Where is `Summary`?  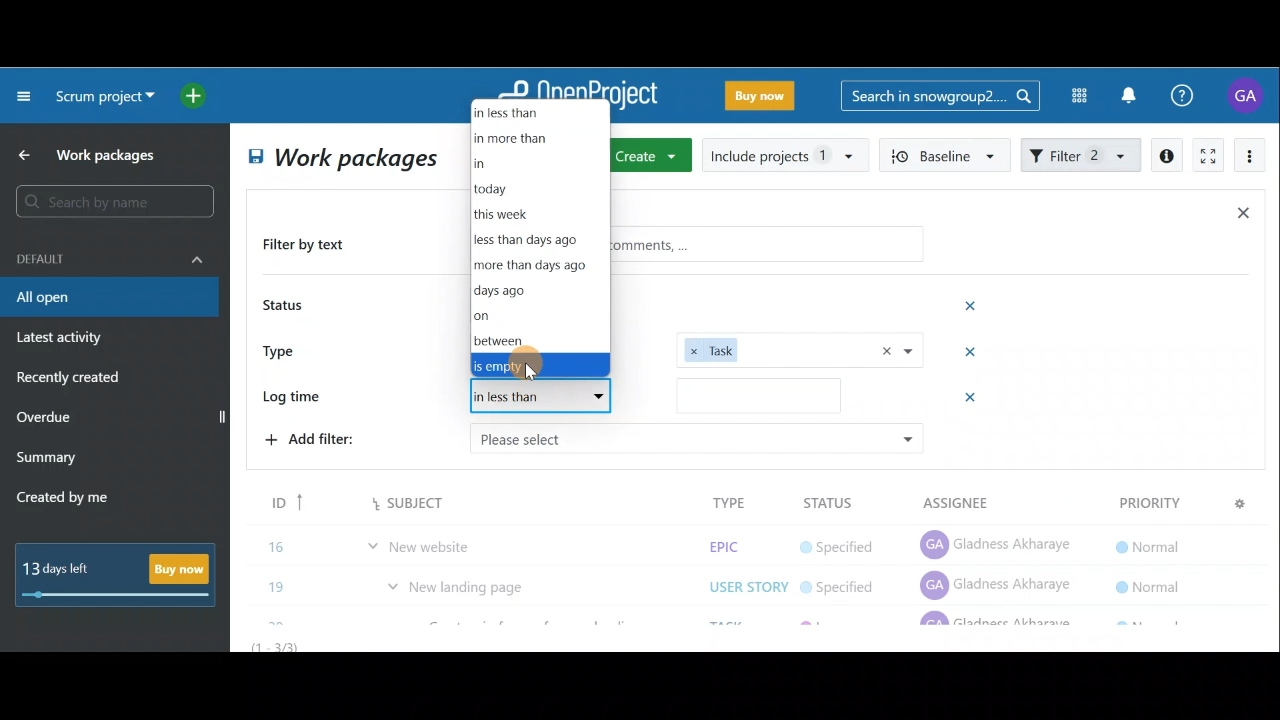
Summary is located at coordinates (47, 460).